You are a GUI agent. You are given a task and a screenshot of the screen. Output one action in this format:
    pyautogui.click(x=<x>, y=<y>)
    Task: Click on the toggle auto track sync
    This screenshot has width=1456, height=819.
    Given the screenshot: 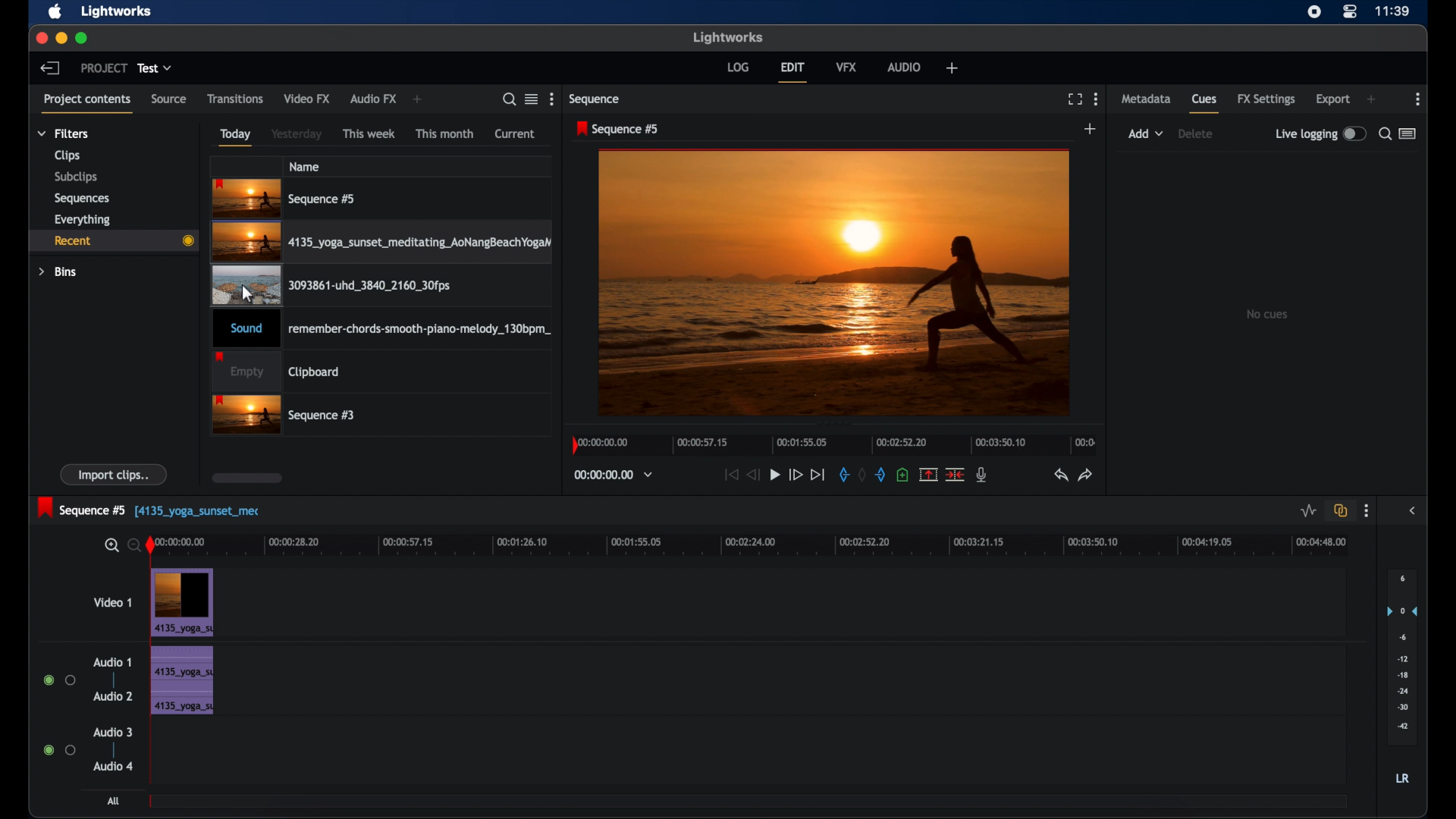 What is the action you would take?
    pyautogui.click(x=1341, y=510)
    